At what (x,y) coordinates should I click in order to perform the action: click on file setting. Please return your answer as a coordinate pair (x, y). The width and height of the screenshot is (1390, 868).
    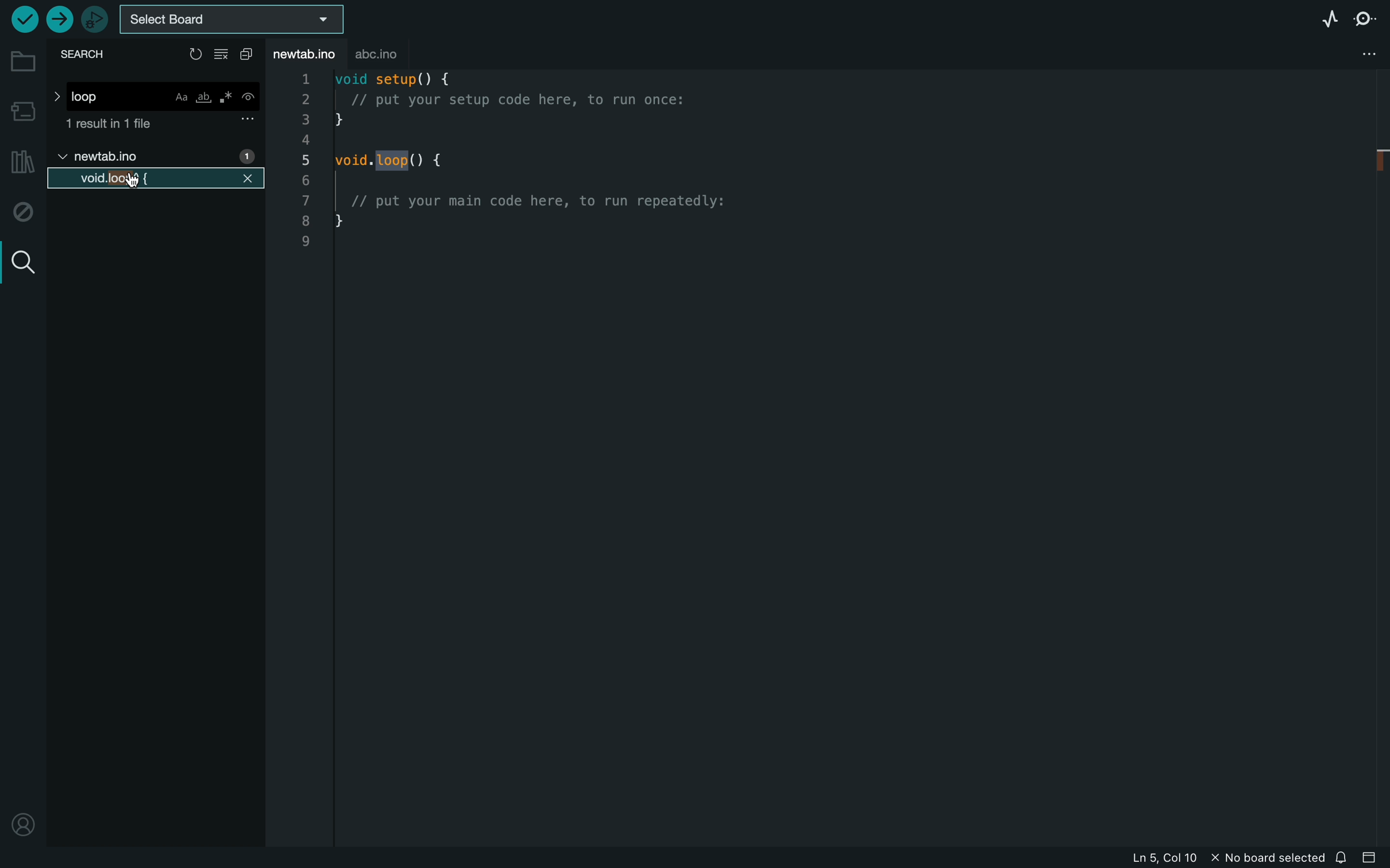
    Looking at the image, I should click on (1354, 55).